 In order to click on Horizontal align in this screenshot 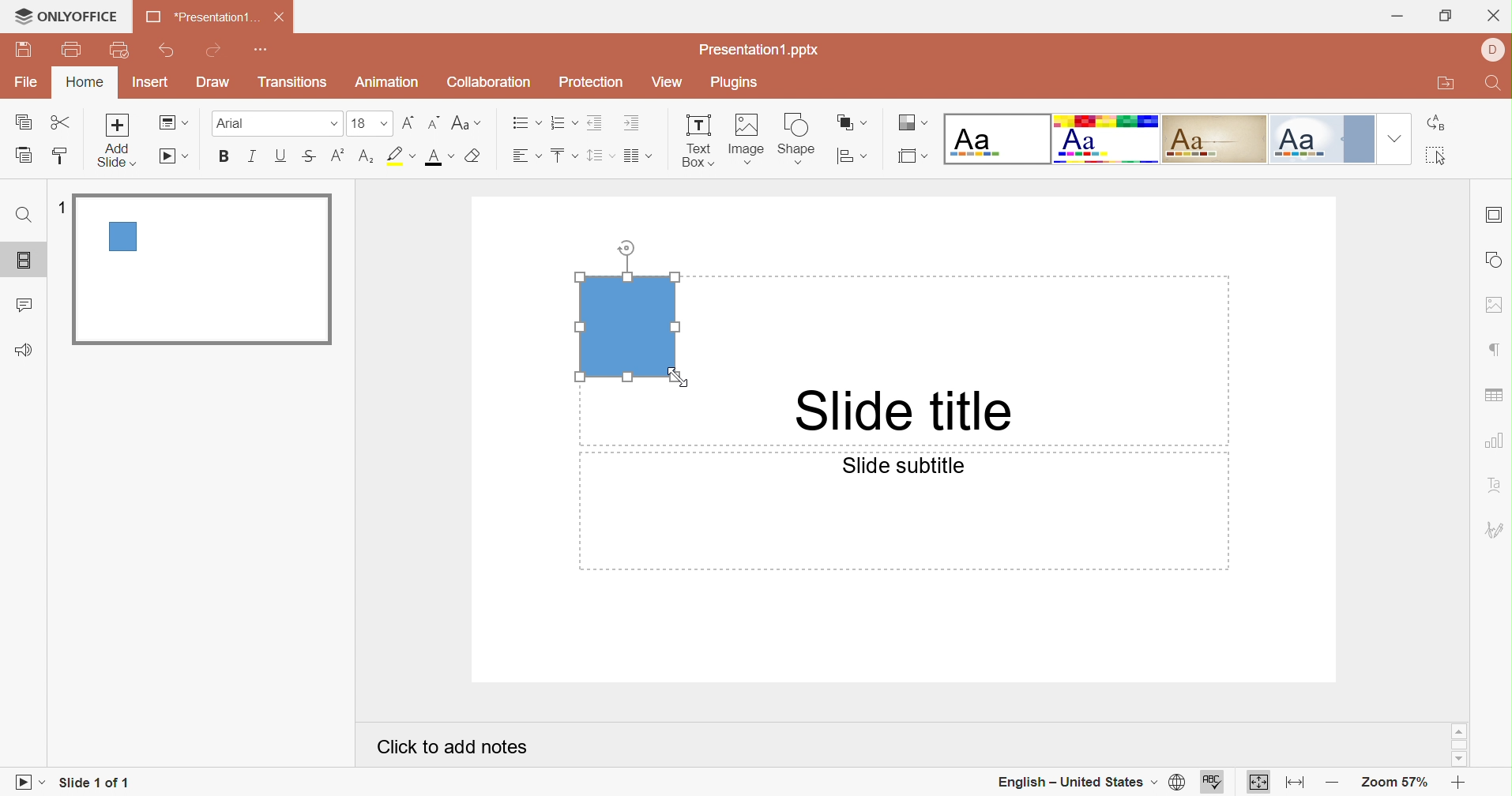, I will do `click(528, 156)`.